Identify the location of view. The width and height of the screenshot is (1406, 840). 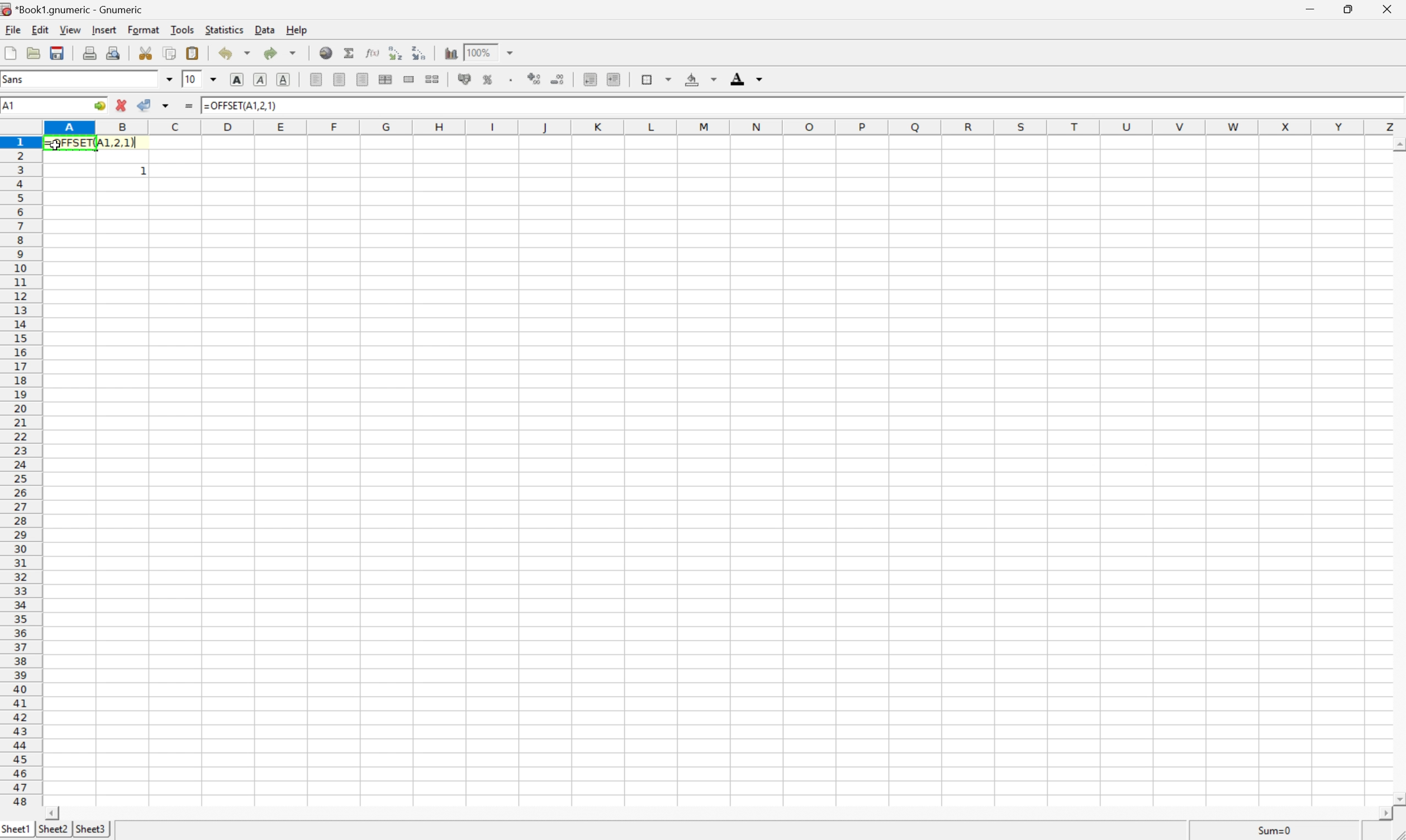
(69, 31).